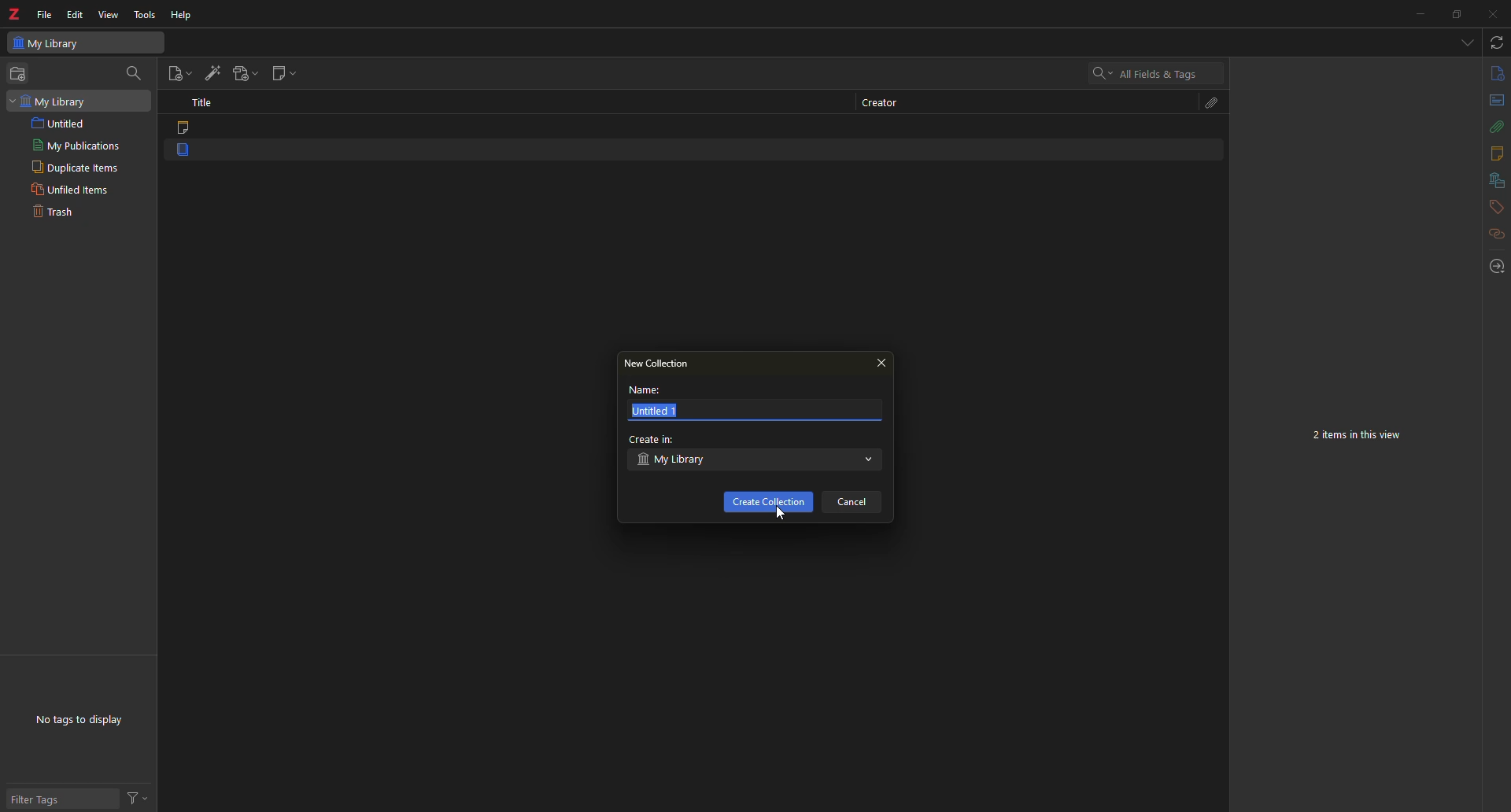 The height and width of the screenshot is (812, 1511). I want to click on search all fields & tags, so click(1145, 74).